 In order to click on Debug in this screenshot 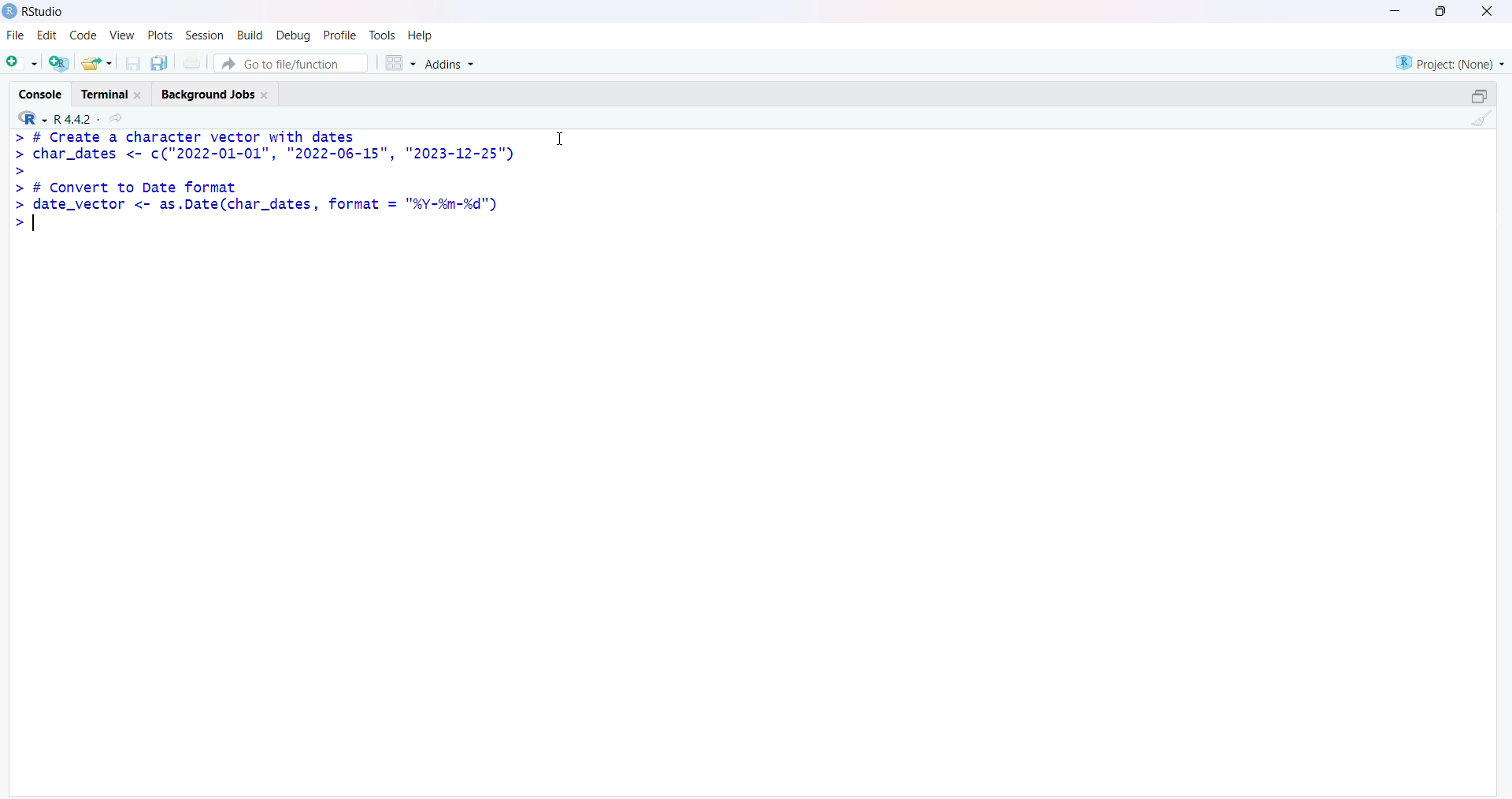, I will do `click(292, 36)`.